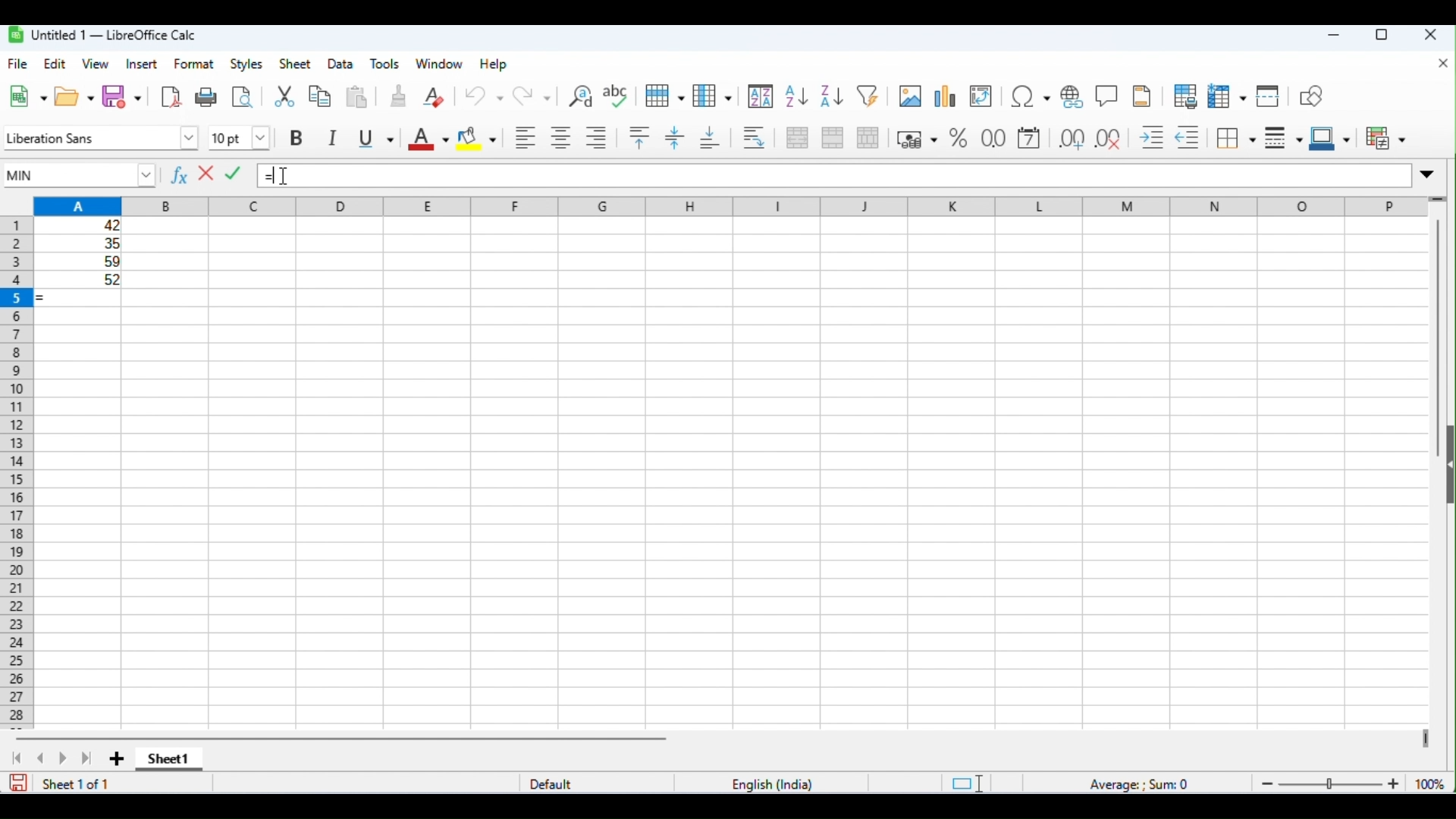 The width and height of the screenshot is (1456, 819). I want to click on format, so click(194, 64).